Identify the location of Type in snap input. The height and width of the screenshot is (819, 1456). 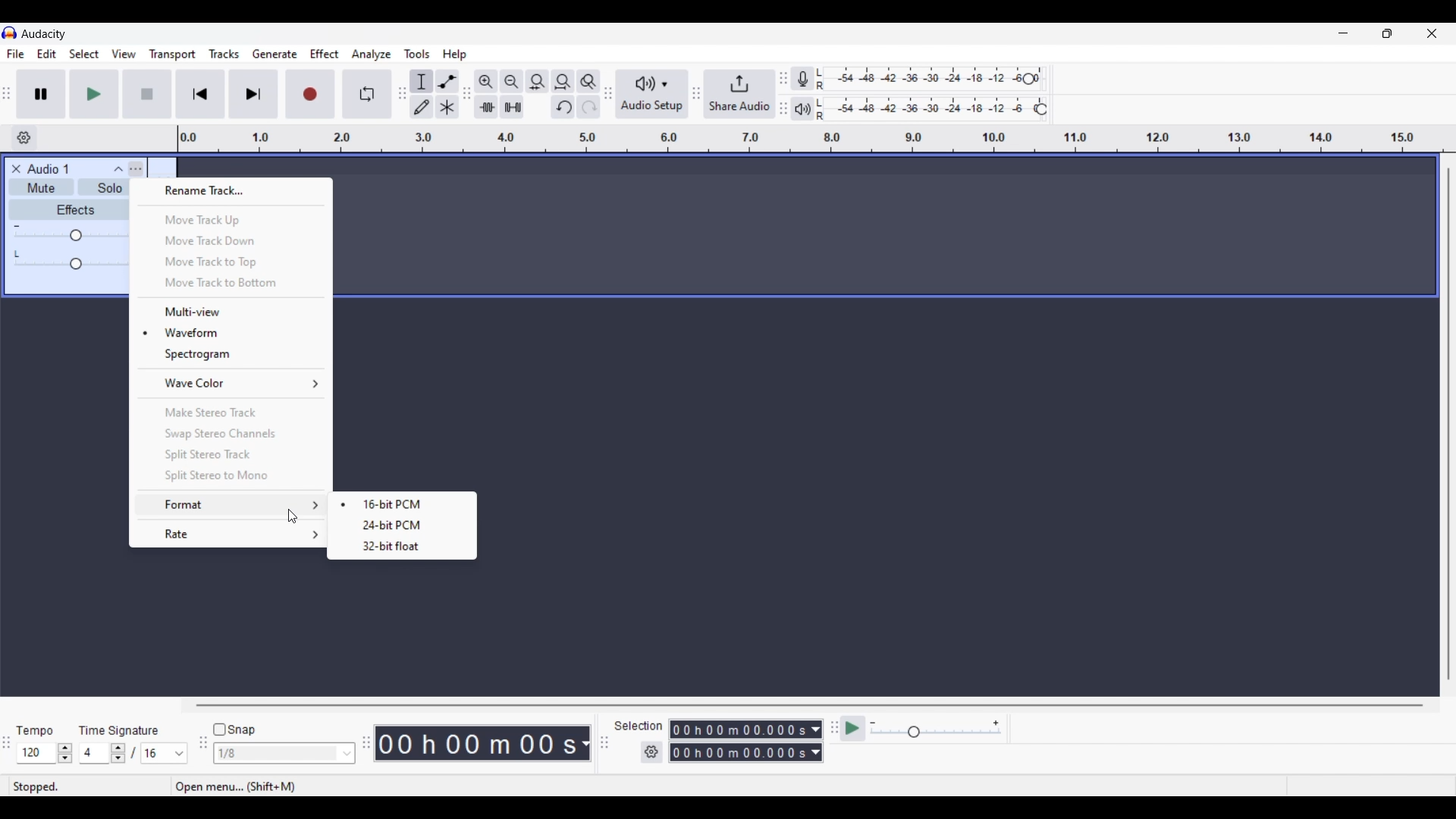
(277, 754).